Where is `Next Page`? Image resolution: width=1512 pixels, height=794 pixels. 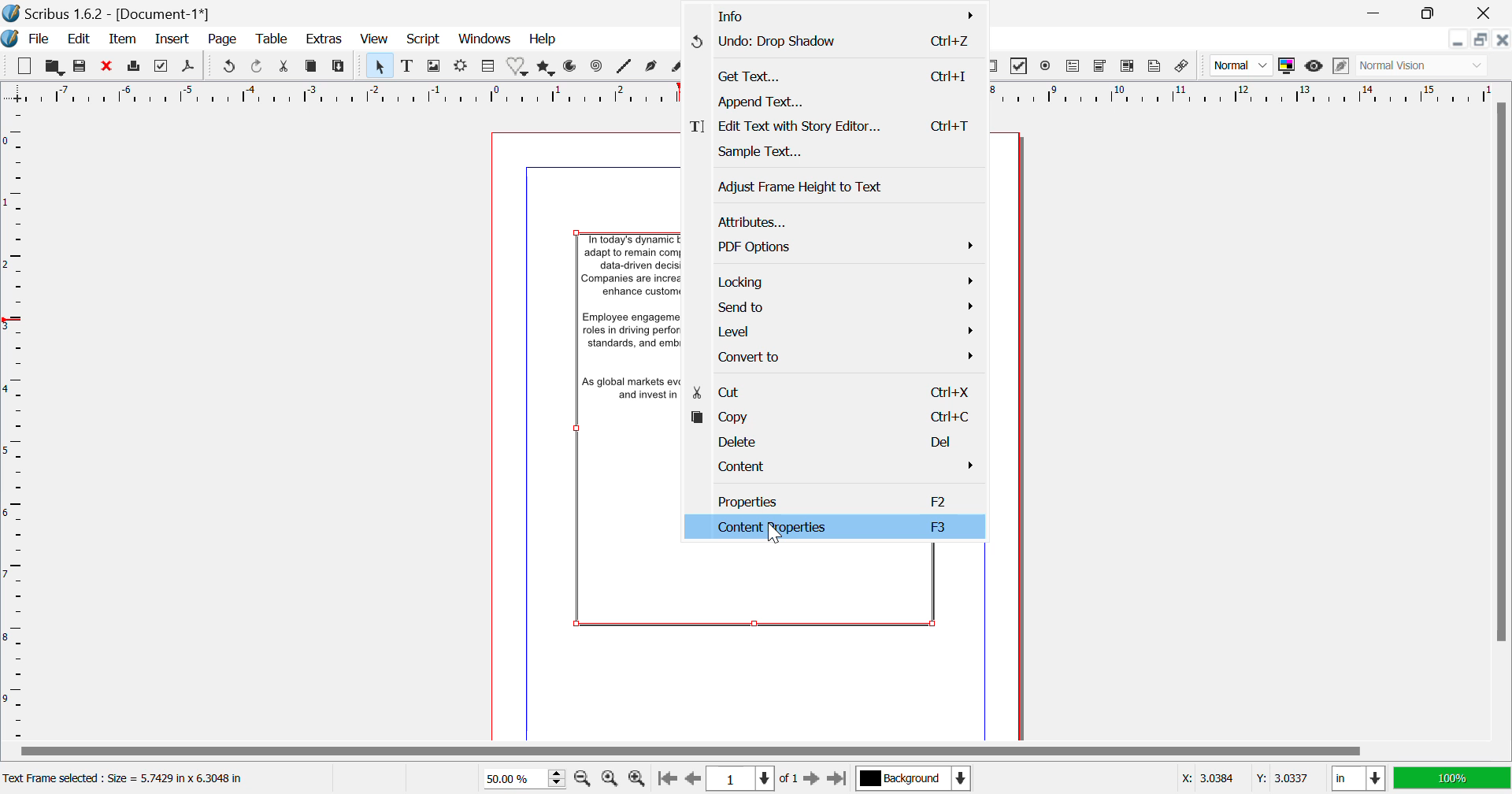 Next Page is located at coordinates (813, 779).